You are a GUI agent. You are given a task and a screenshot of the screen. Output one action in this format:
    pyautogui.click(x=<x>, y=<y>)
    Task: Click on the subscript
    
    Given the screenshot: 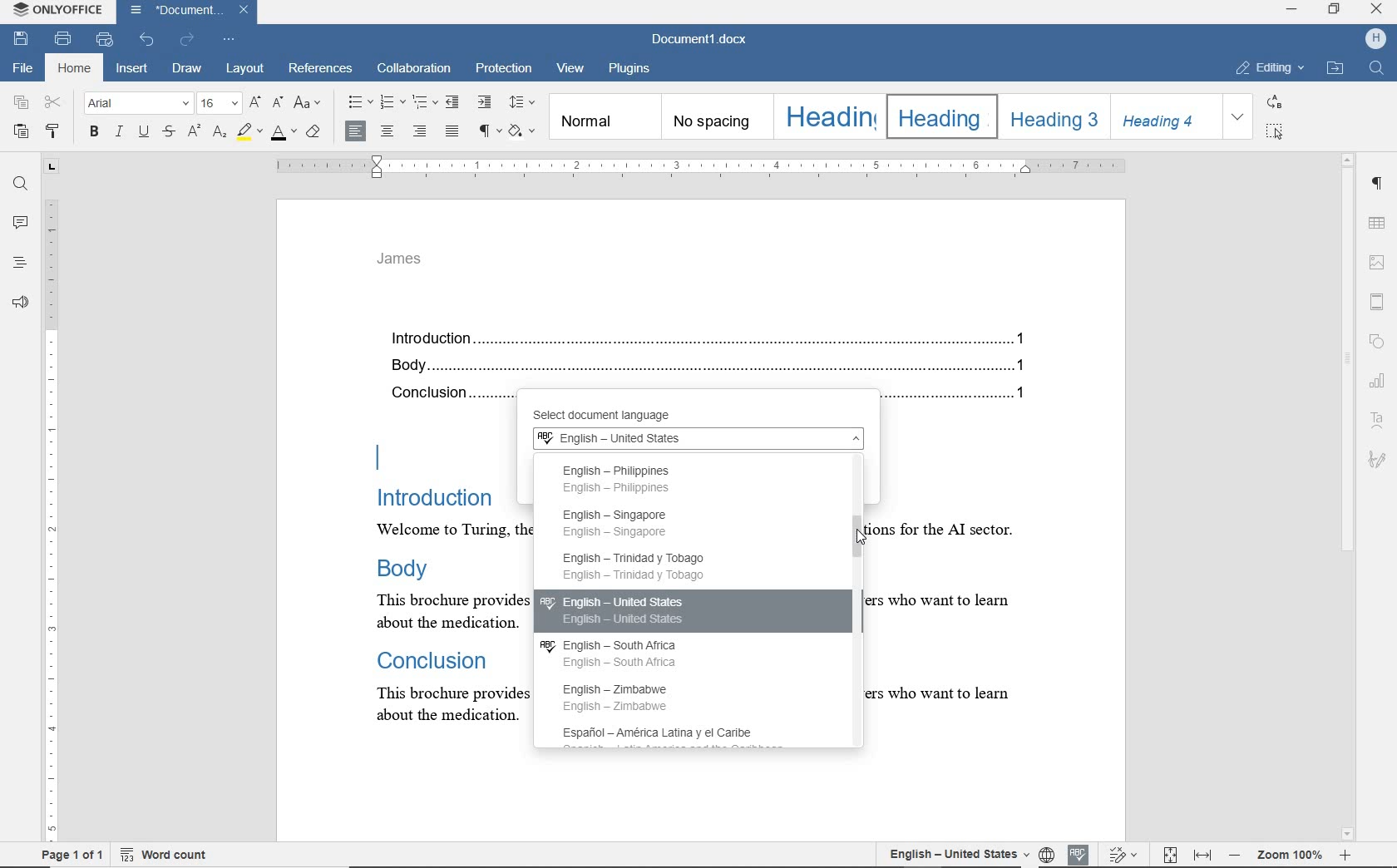 What is the action you would take?
    pyautogui.click(x=219, y=132)
    